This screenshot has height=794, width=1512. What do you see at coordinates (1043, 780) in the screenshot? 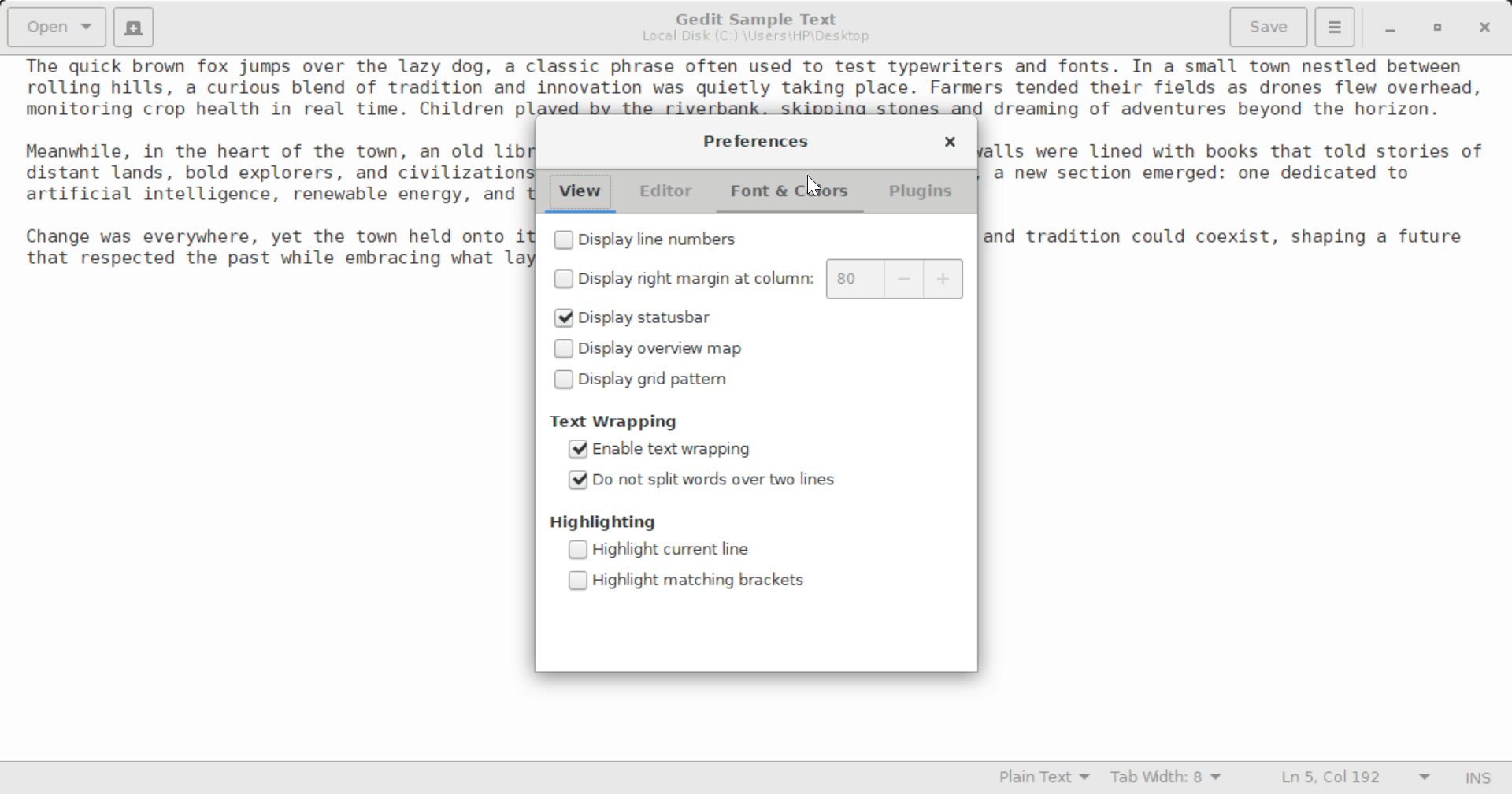
I see `Text Language` at bounding box center [1043, 780].